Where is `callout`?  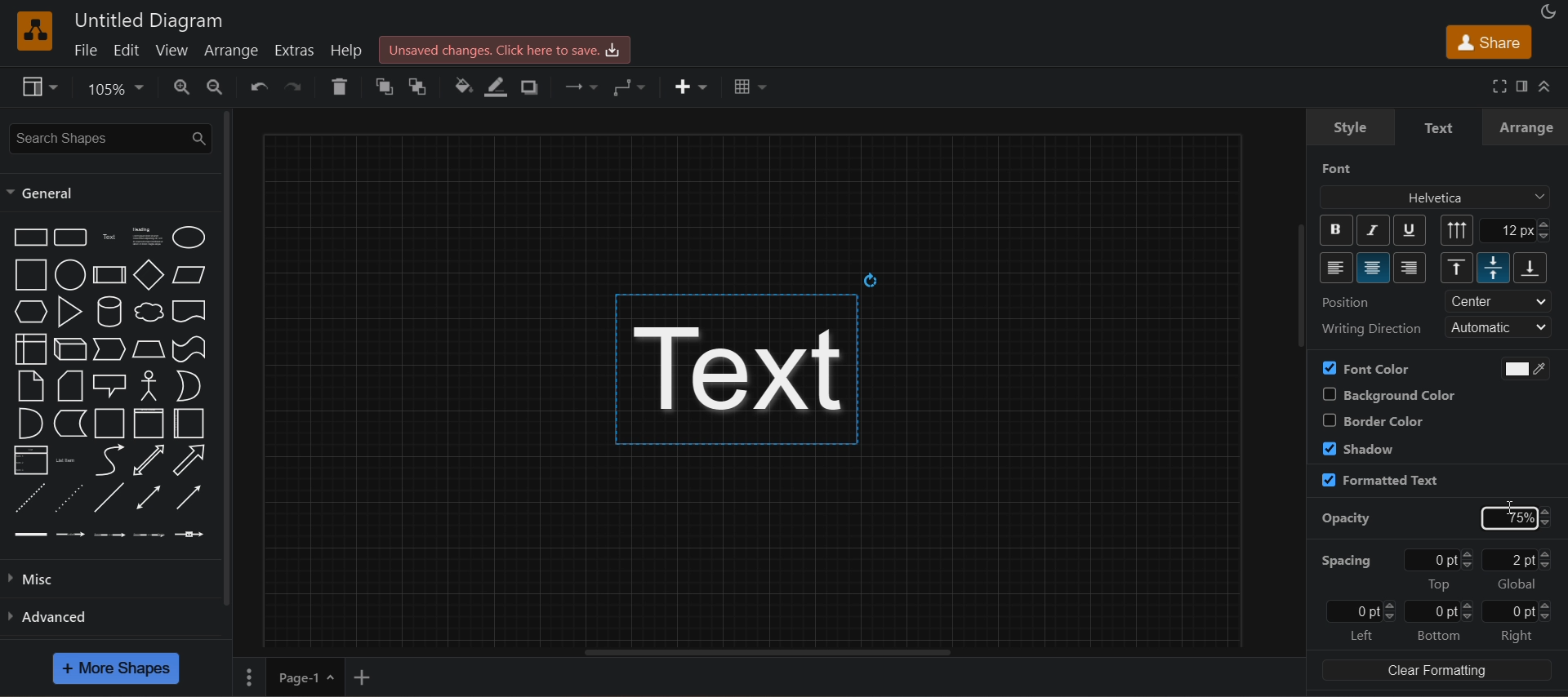
callout is located at coordinates (110, 385).